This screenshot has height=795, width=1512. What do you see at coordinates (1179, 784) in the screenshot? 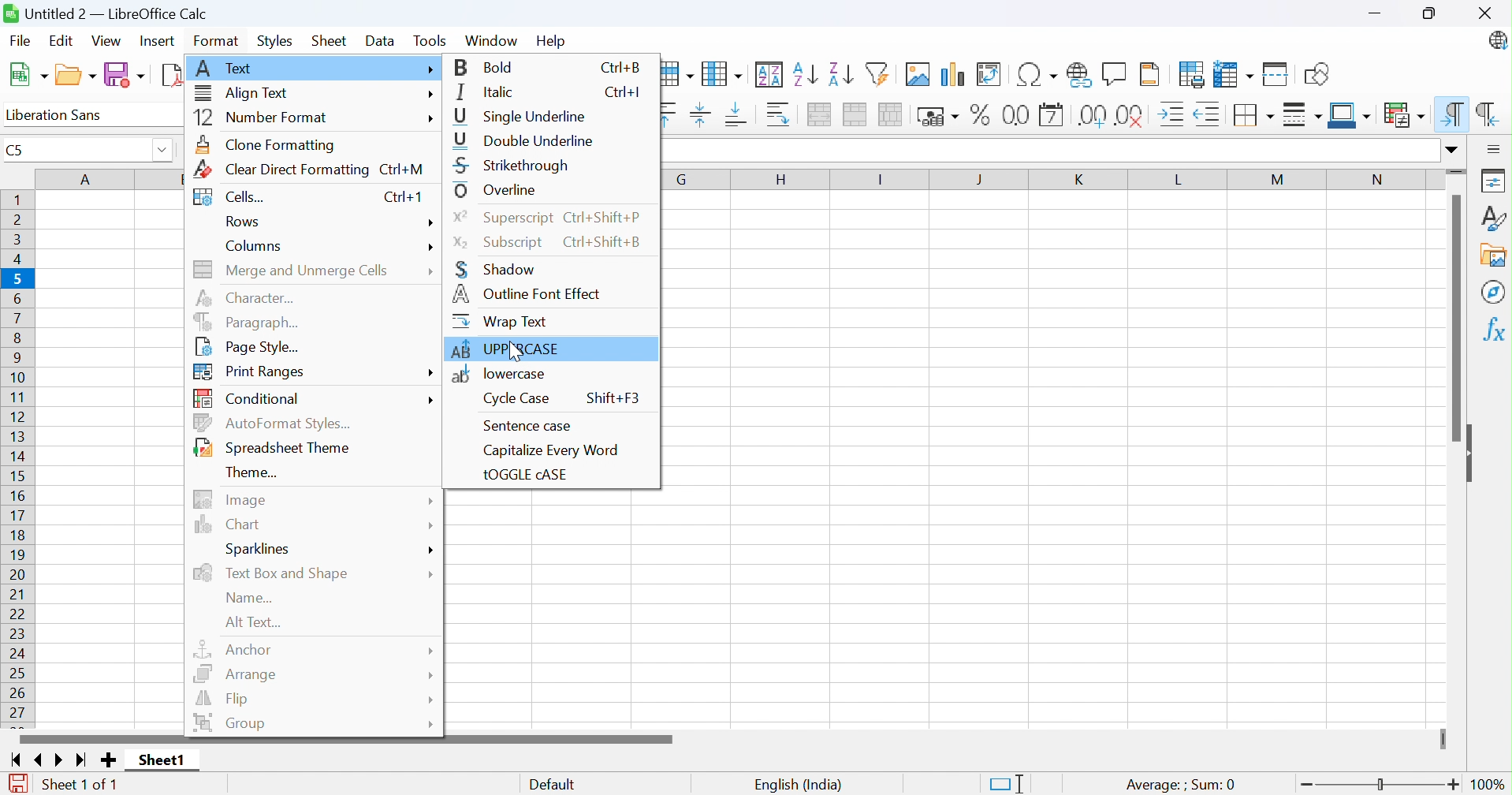
I see `Average: ; Sum:0` at bounding box center [1179, 784].